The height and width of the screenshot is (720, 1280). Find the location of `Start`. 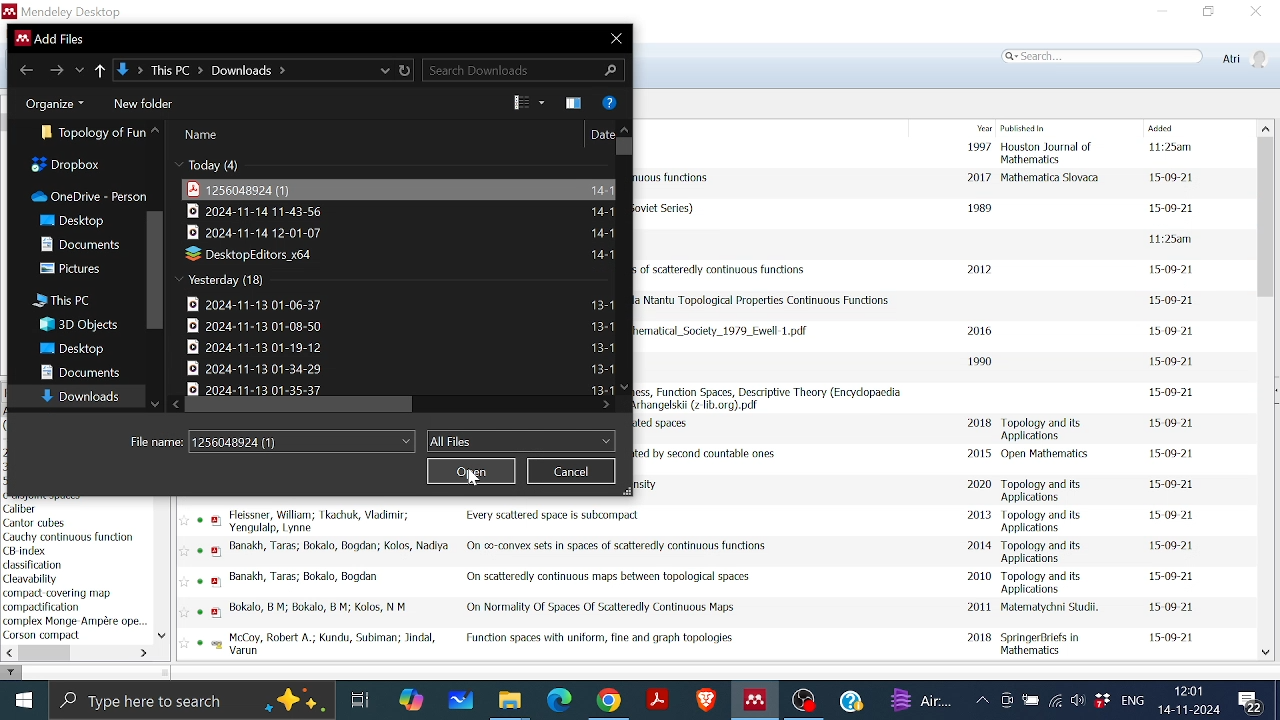

Start is located at coordinates (22, 699).